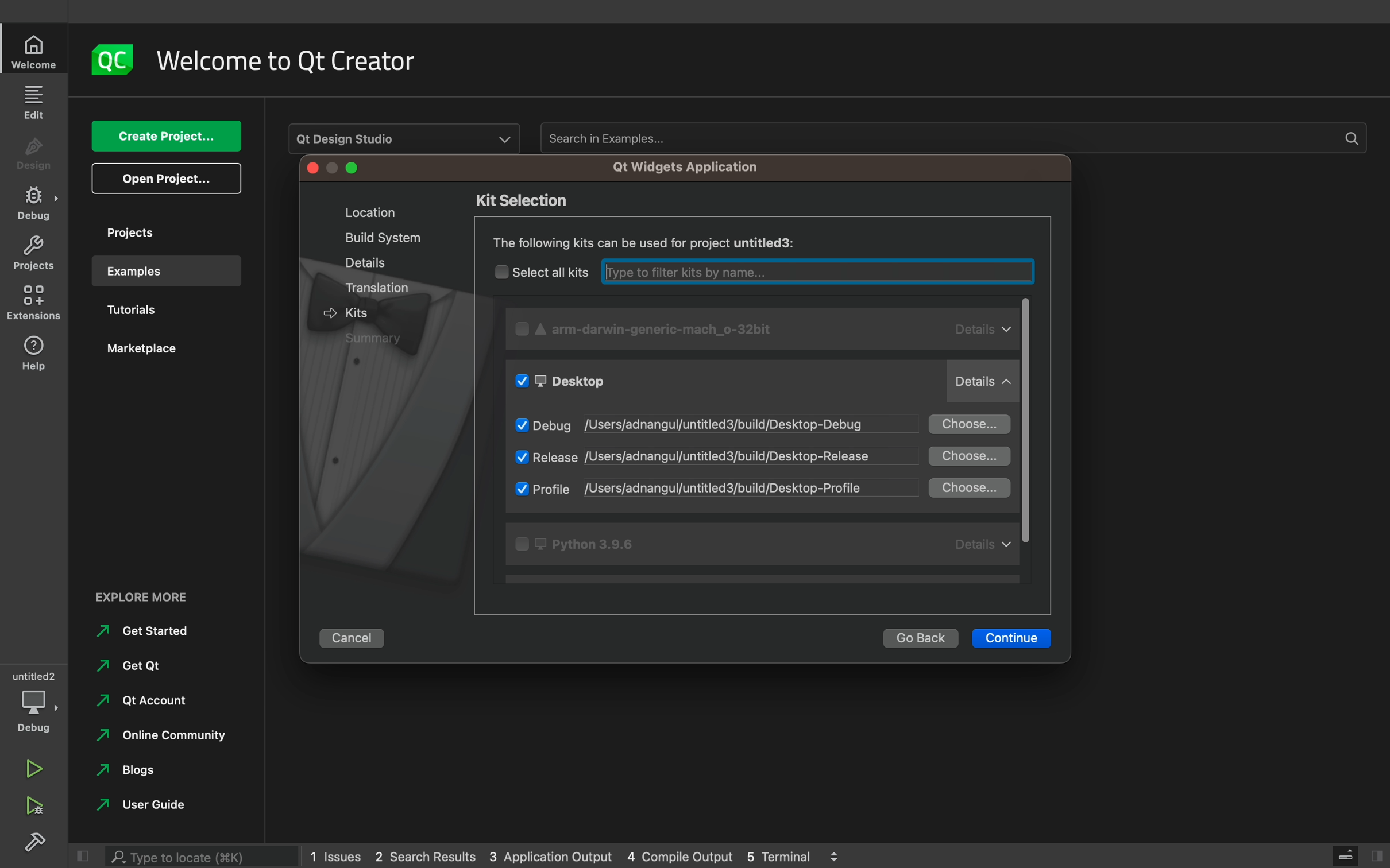  I want to click on desktop: details drop down, so click(775, 383).